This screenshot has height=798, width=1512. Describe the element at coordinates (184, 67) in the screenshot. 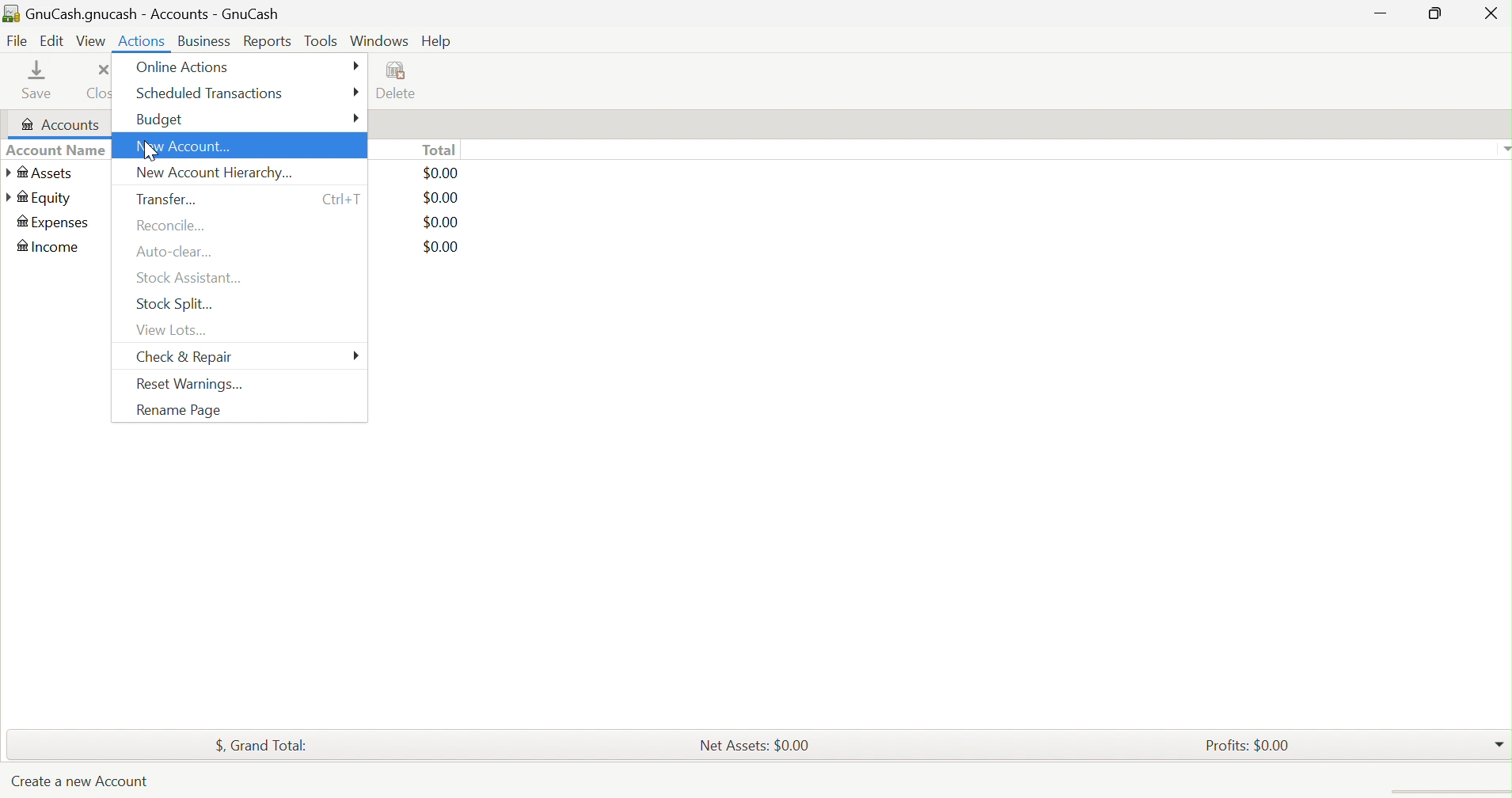

I see `Online Actions` at that location.